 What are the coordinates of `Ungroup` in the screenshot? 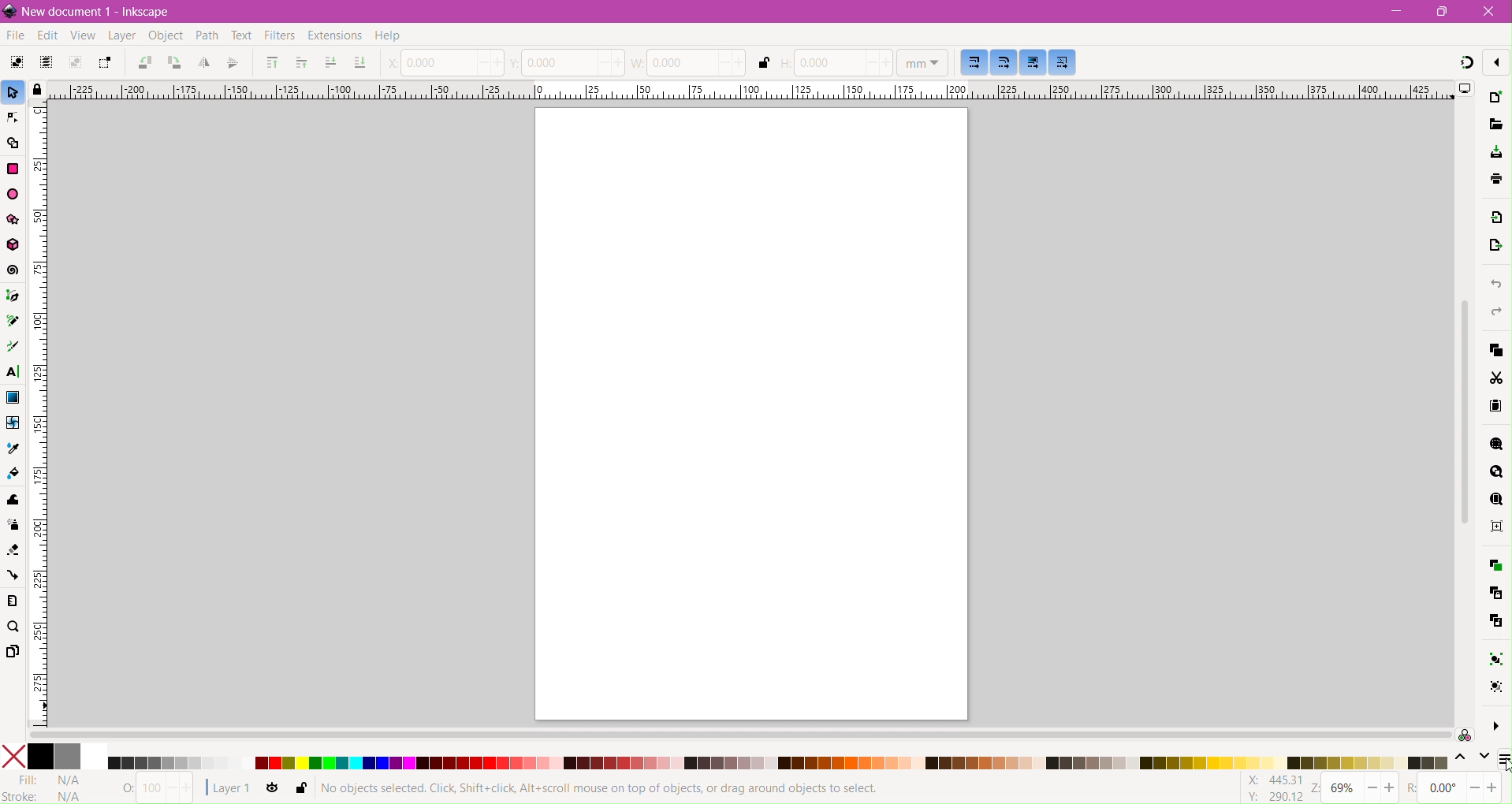 It's located at (1493, 687).